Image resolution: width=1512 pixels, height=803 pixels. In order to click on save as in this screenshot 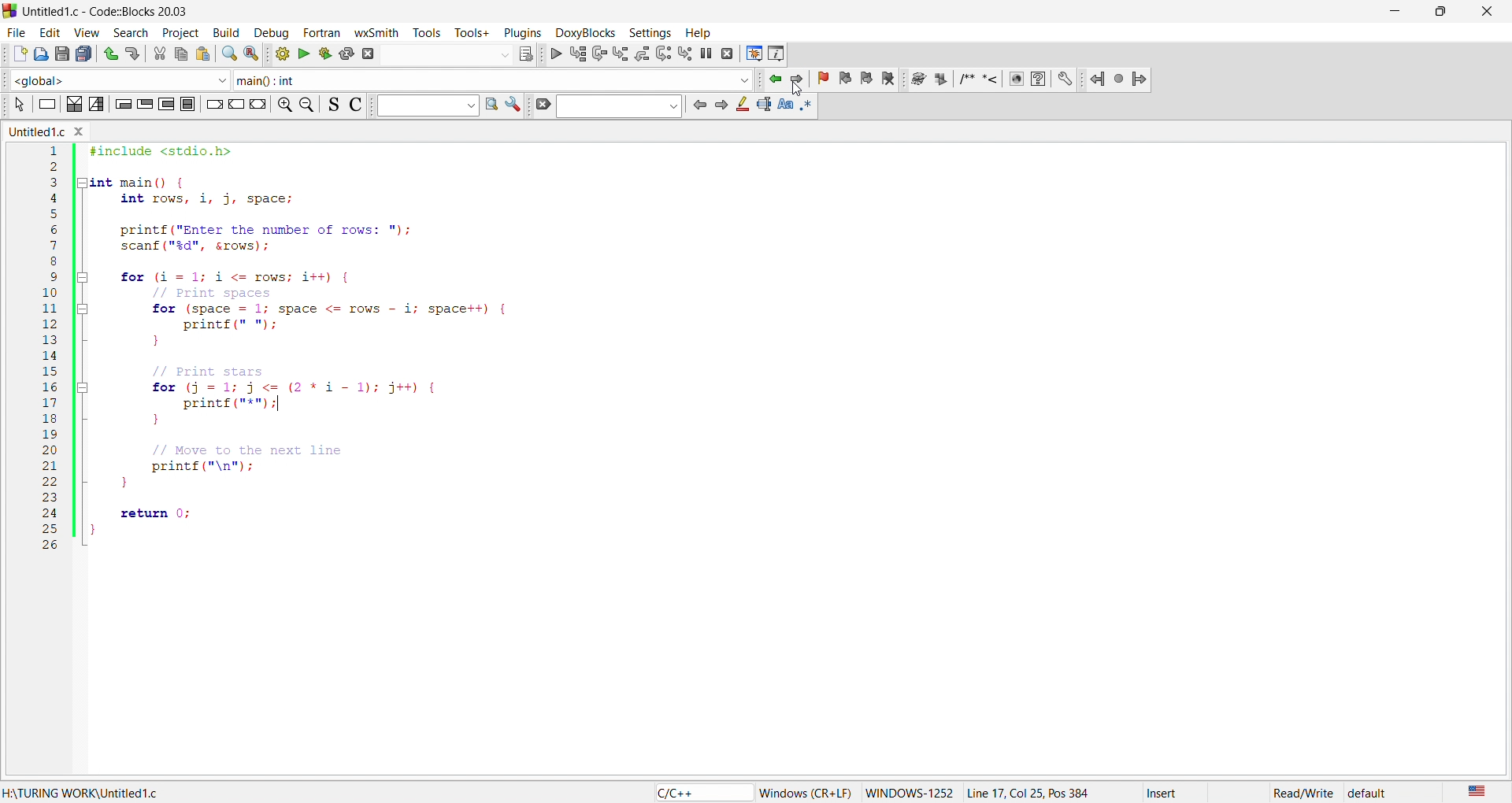, I will do `click(64, 54)`.